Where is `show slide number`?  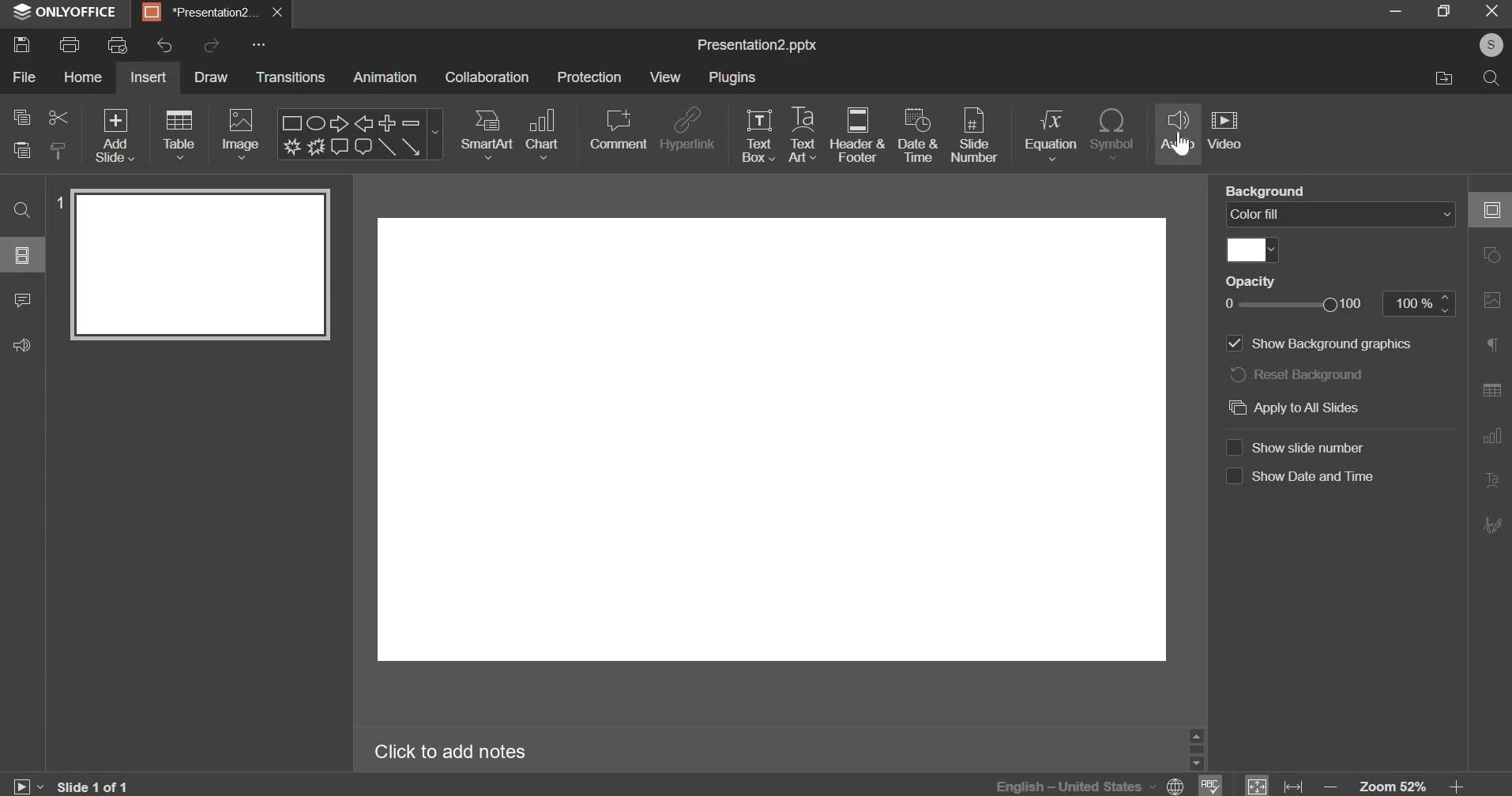
show slide number is located at coordinates (1303, 447).